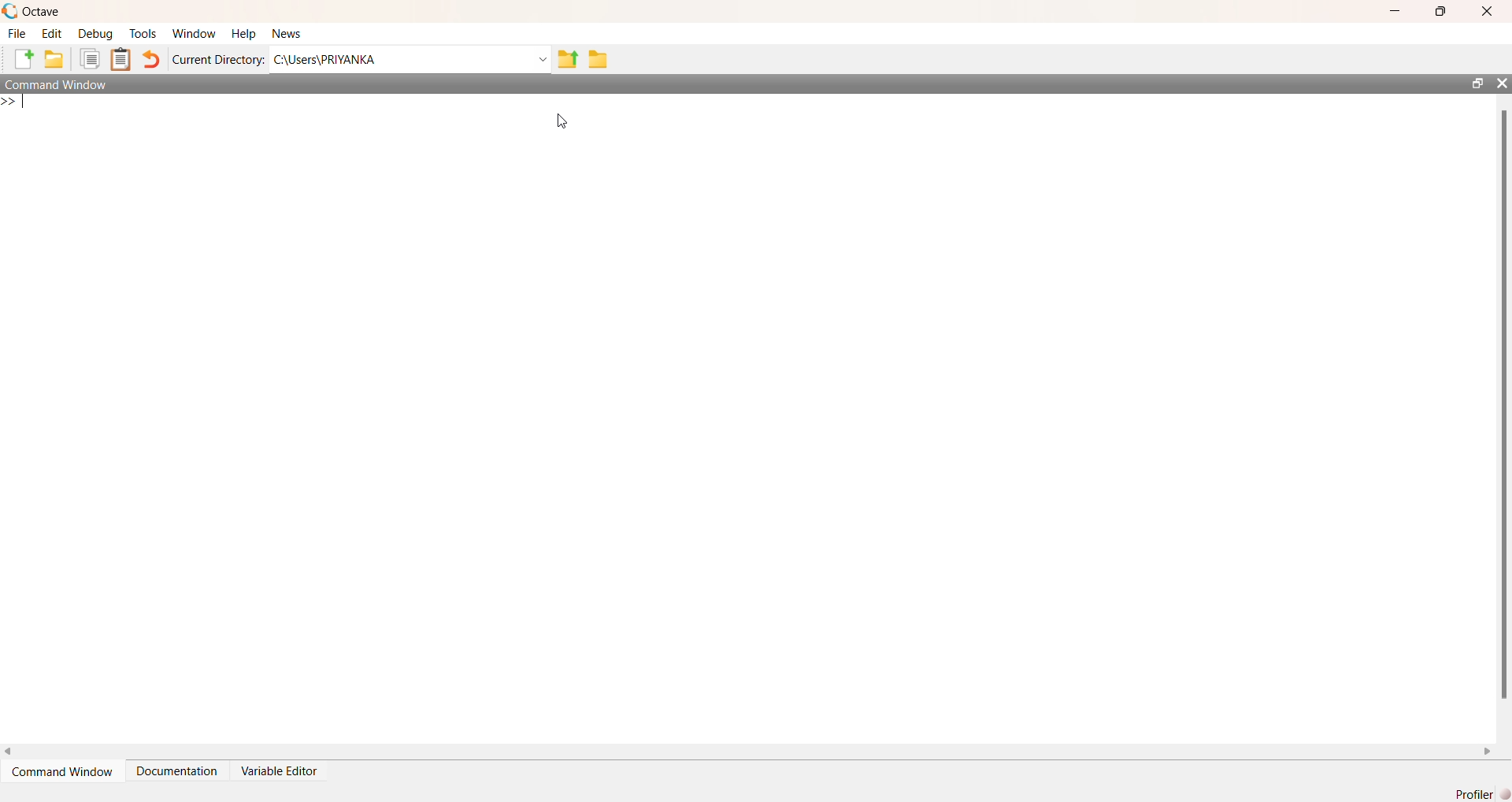  What do you see at coordinates (17, 33) in the screenshot?
I see `file` at bounding box center [17, 33].